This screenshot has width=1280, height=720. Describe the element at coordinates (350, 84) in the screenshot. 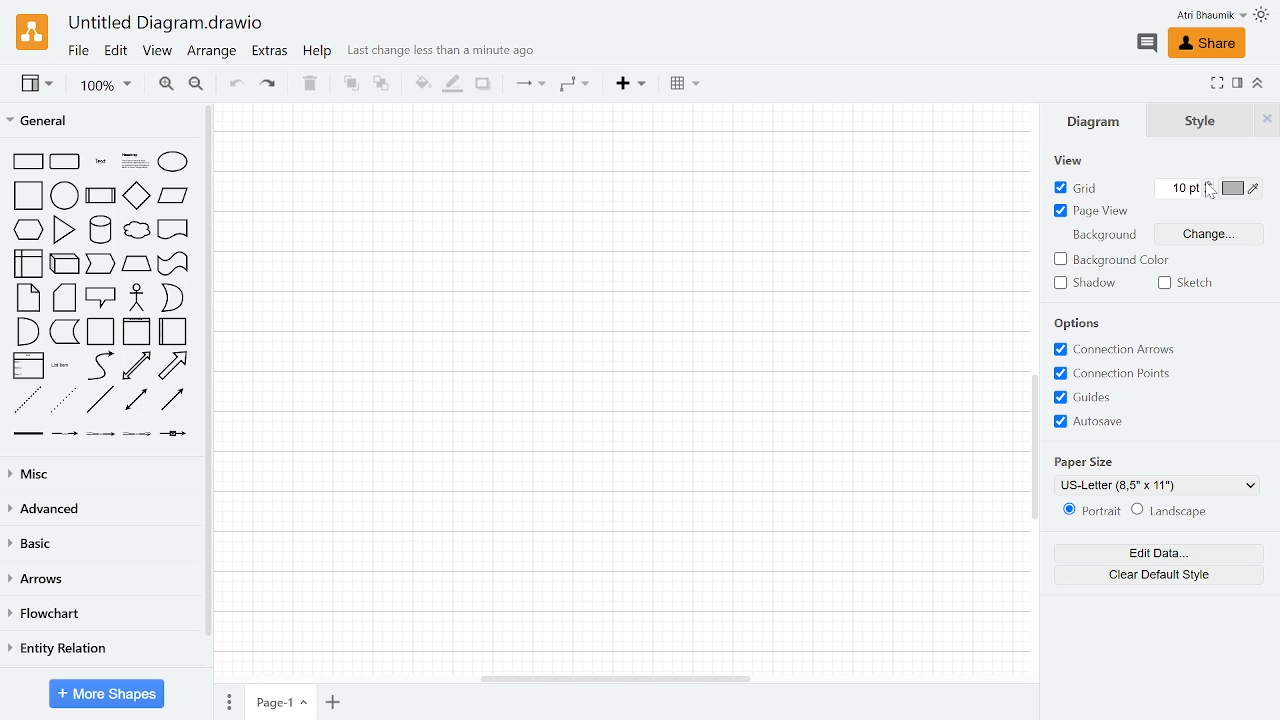

I see `TO front` at that location.